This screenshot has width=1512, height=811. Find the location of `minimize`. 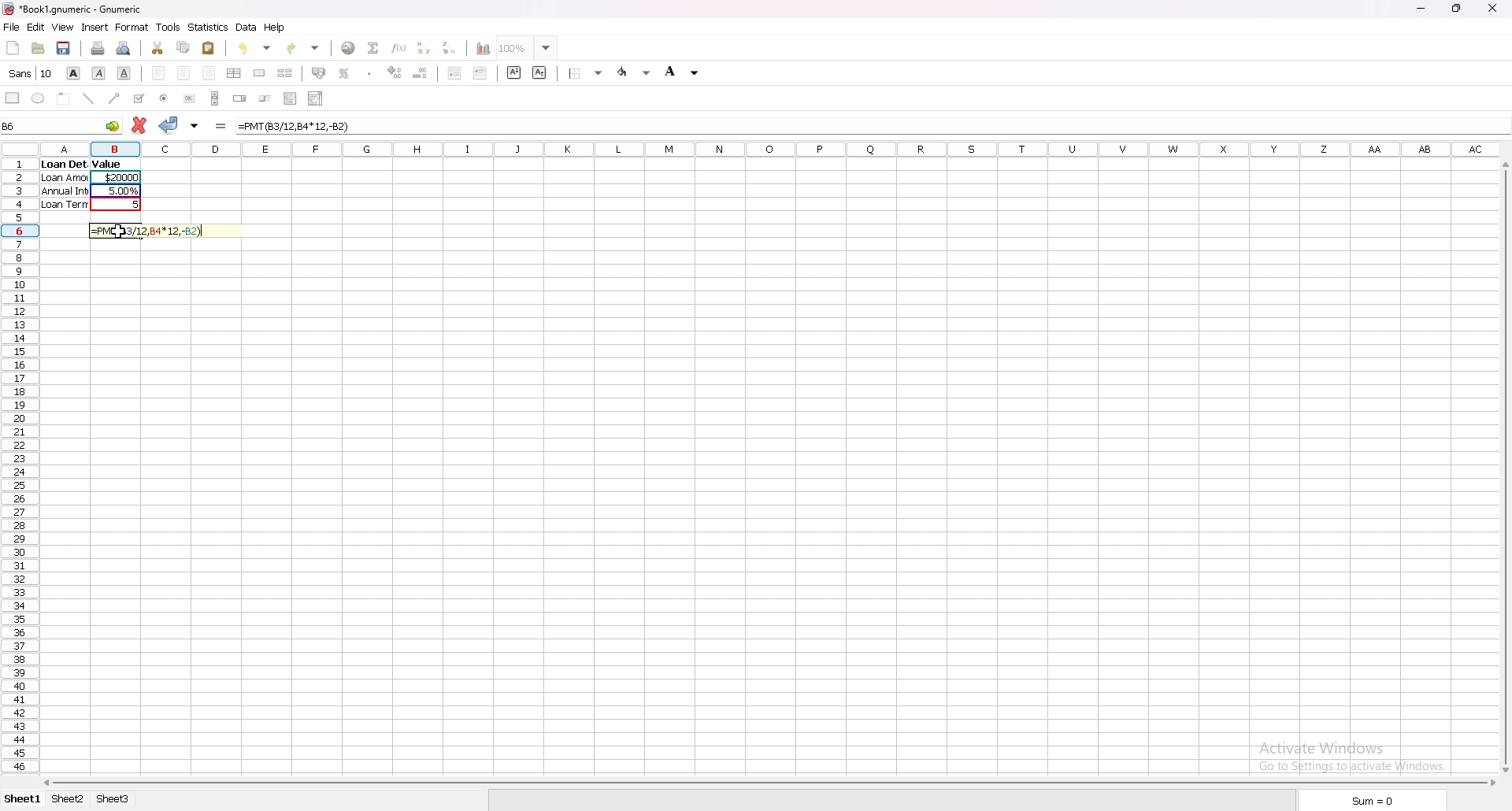

minimize is located at coordinates (1421, 9).